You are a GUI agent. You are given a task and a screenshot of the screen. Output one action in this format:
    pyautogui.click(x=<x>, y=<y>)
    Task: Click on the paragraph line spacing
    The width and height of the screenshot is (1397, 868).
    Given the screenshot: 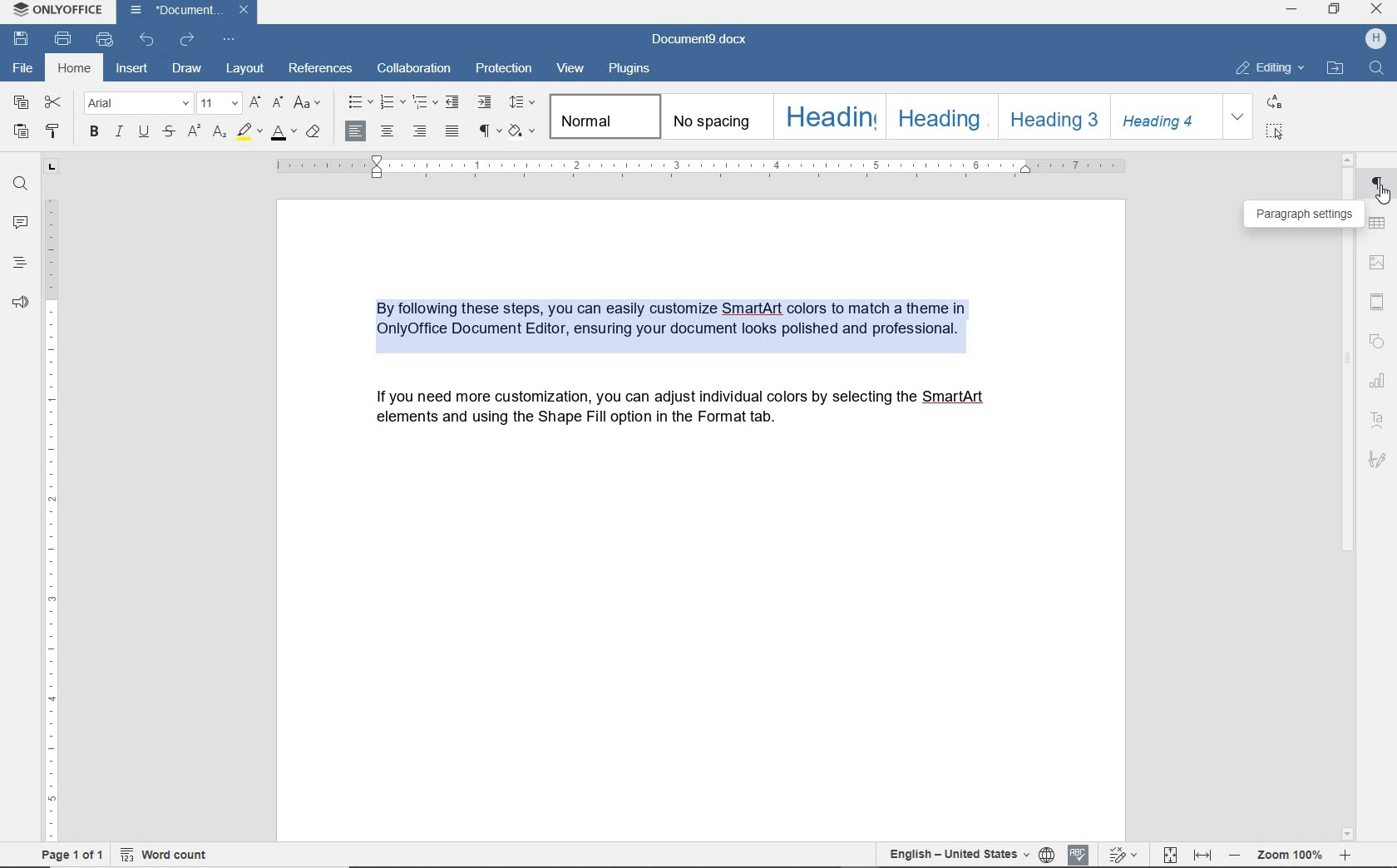 What is the action you would take?
    pyautogui.click(x=521, y=102)
    